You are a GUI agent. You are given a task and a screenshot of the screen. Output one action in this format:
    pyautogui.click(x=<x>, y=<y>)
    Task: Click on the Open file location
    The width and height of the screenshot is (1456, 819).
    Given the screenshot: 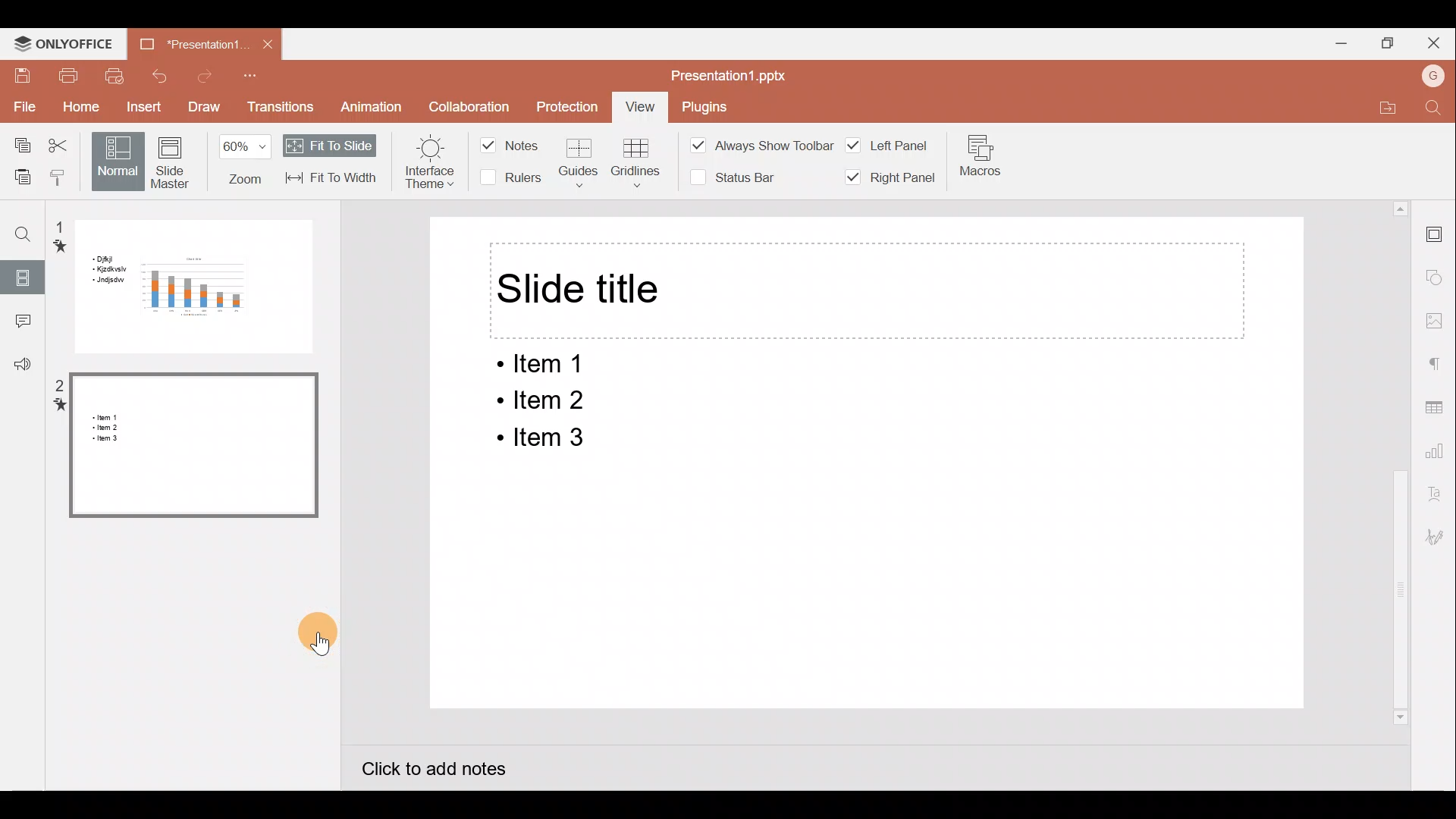 What is the action you would take?
    pyautogui.click(x=1386, y=108)
    